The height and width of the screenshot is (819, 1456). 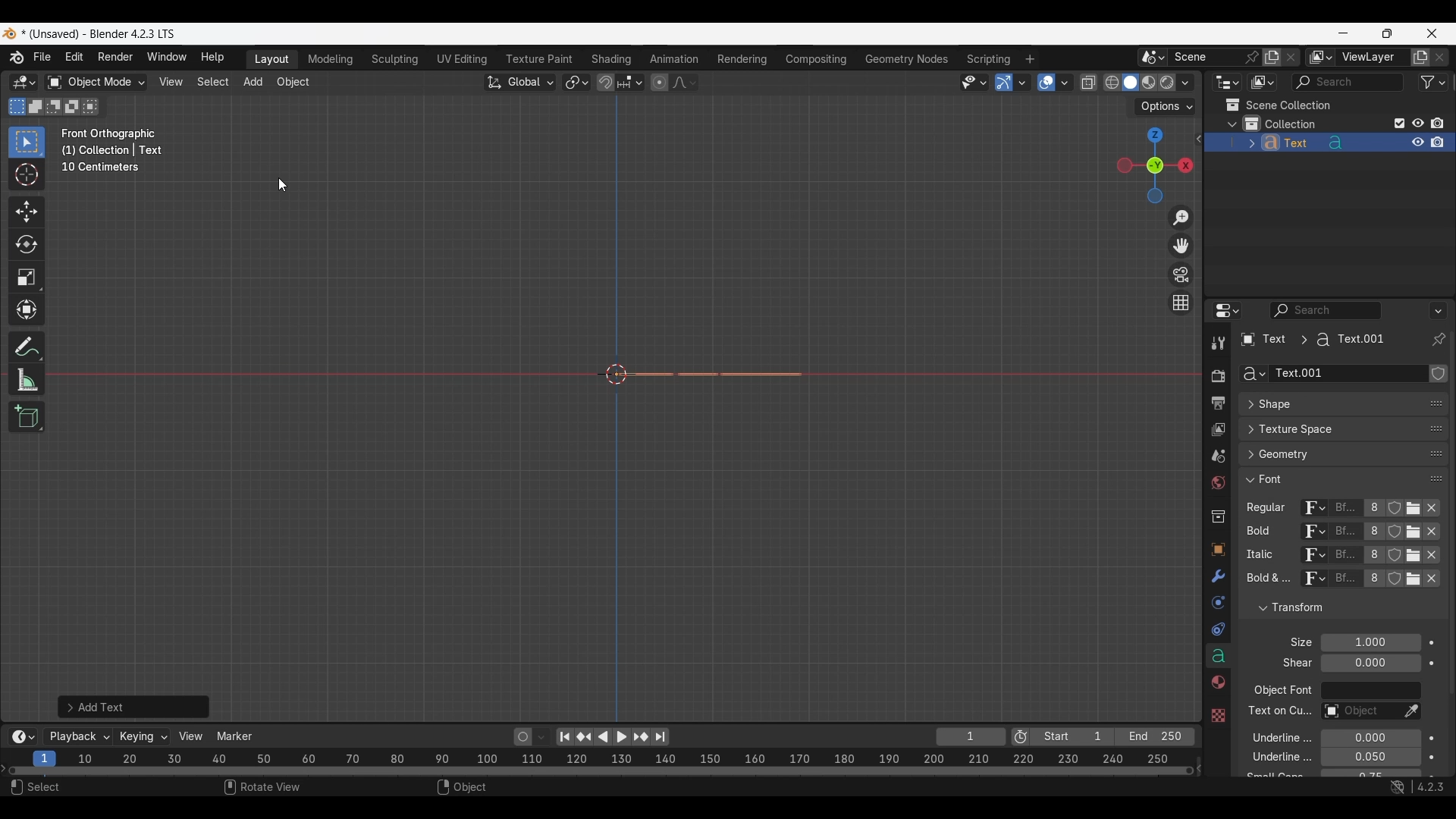 I want to click on Font size, so click(x=1372, y=643).